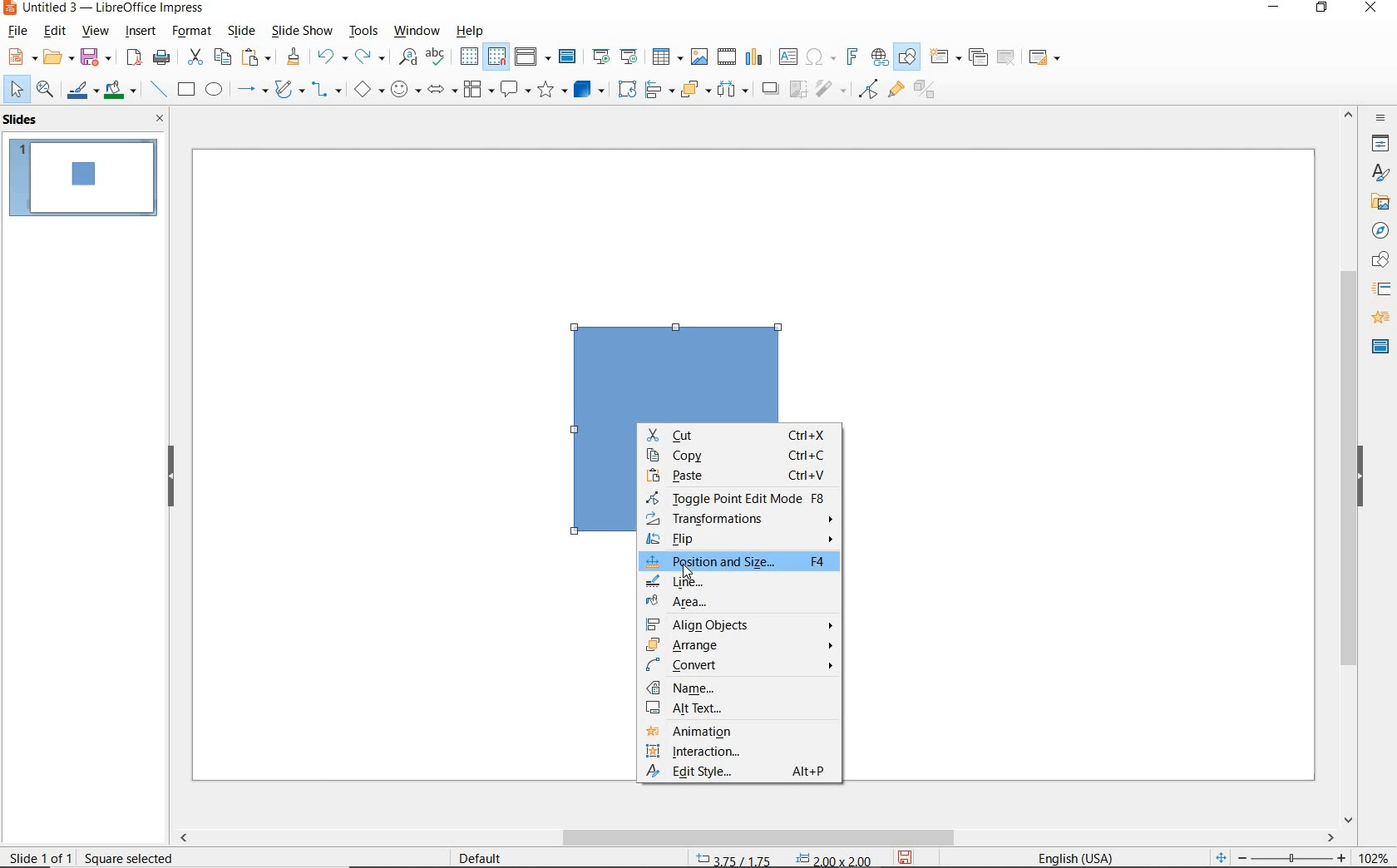 This screenshot has width=1397, height=868. Describe the element at coordinates (737, 89) in the screenshot. I see `three objects to distribute` at that location.